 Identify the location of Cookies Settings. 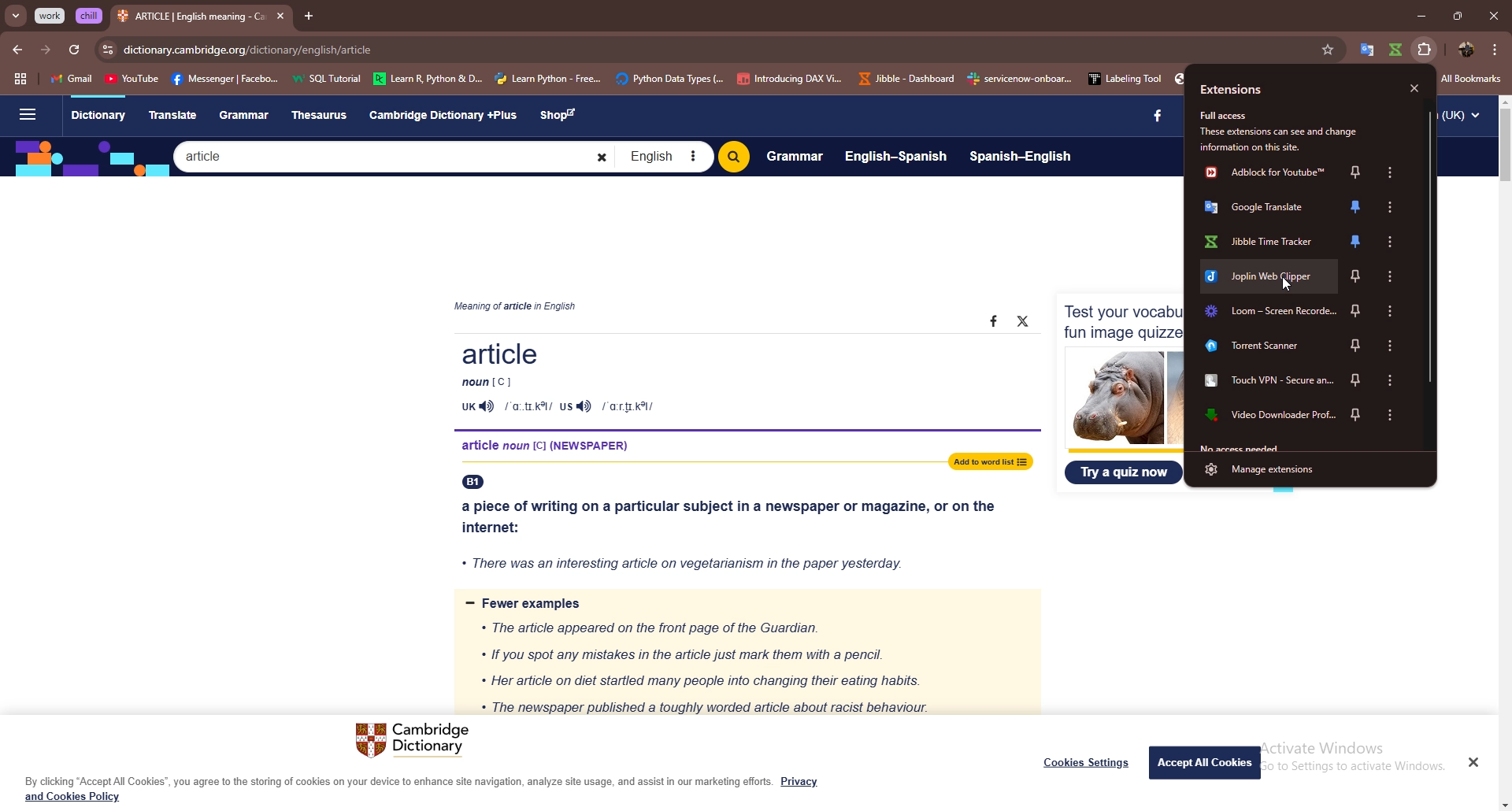
(1087, 762).